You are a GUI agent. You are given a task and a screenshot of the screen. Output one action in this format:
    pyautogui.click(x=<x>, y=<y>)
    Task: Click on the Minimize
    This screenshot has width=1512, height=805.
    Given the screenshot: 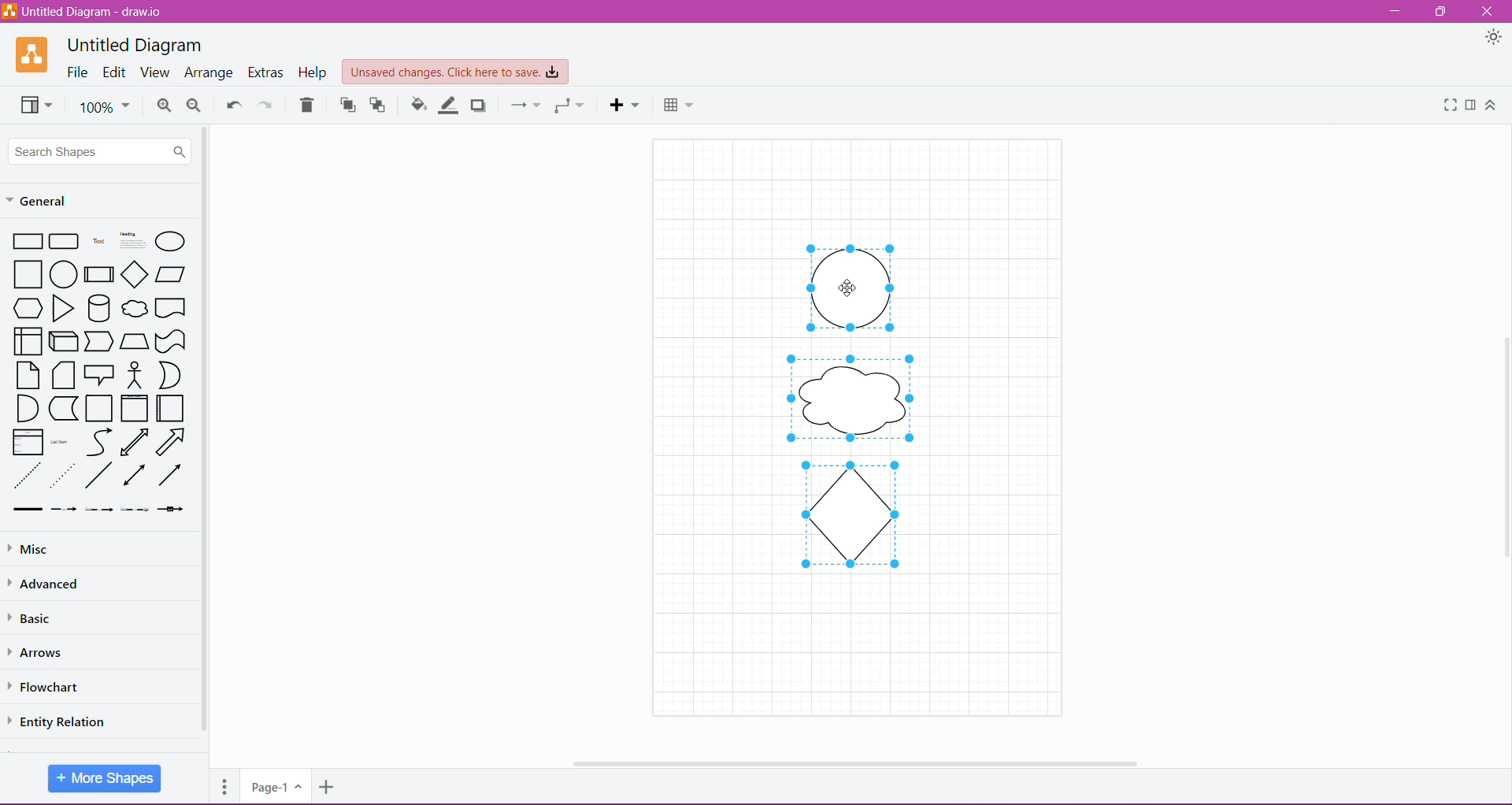 What is the action you would take?
    pyautogui.click(x=1395, y=12)
    